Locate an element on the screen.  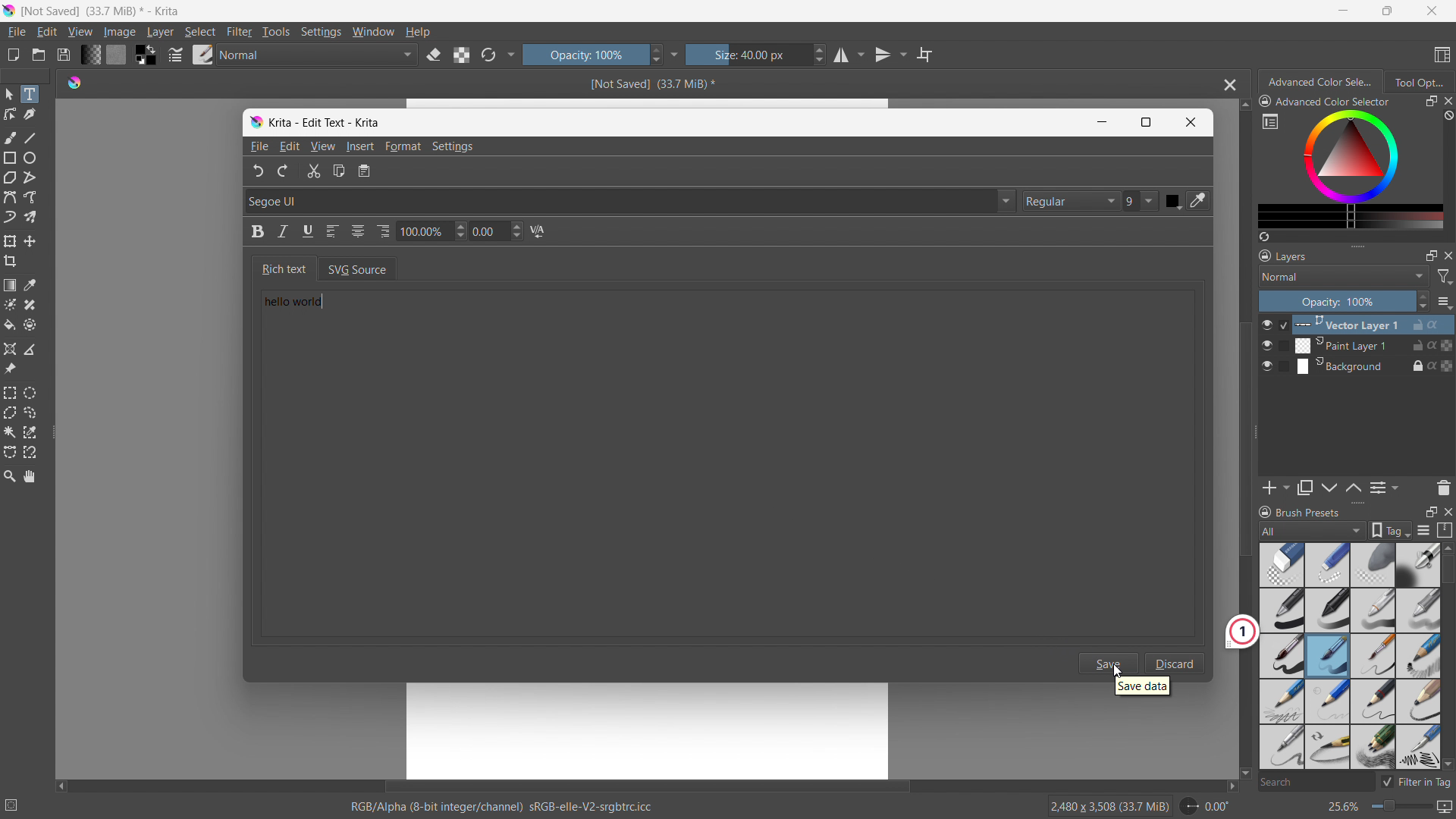
Edit is located at coordinates (290, 146).